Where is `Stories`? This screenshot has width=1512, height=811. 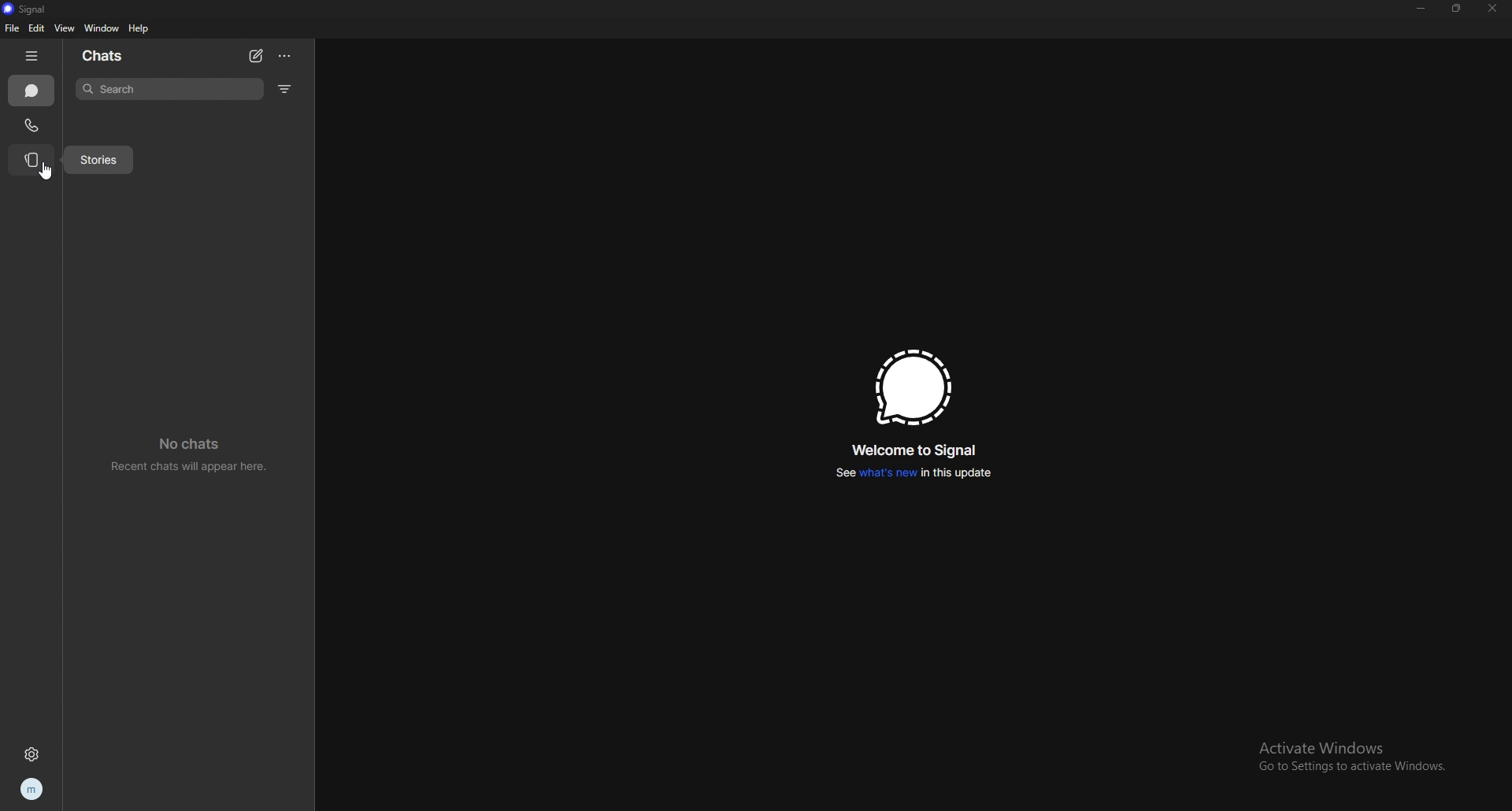
Stories is located at coordinates (101, 160).